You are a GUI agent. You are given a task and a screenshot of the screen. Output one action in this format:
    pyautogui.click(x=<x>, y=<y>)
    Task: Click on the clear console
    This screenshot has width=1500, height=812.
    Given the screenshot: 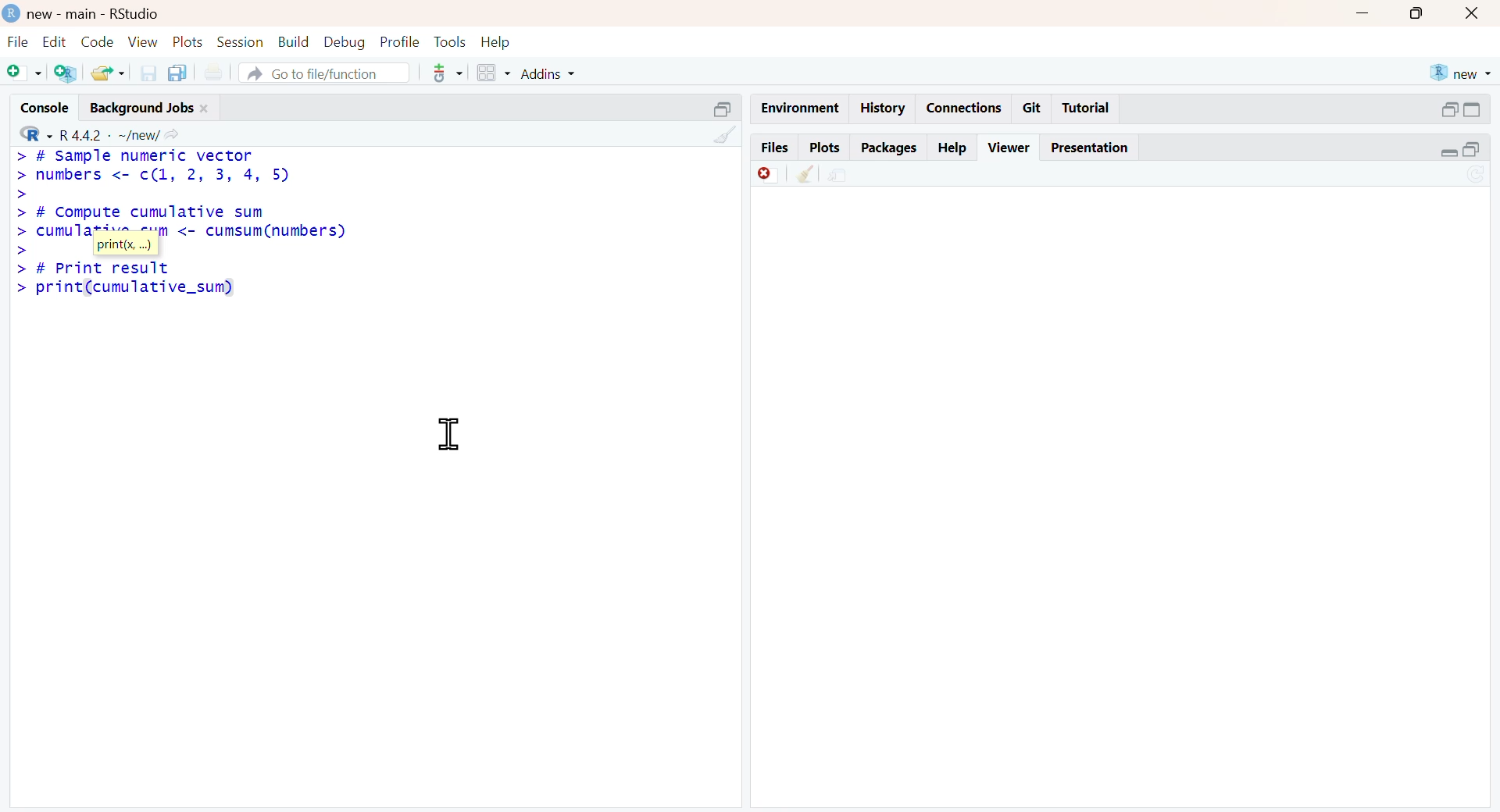 What is the action you would take?
    pyautogui.click(x=806, y=173)
    